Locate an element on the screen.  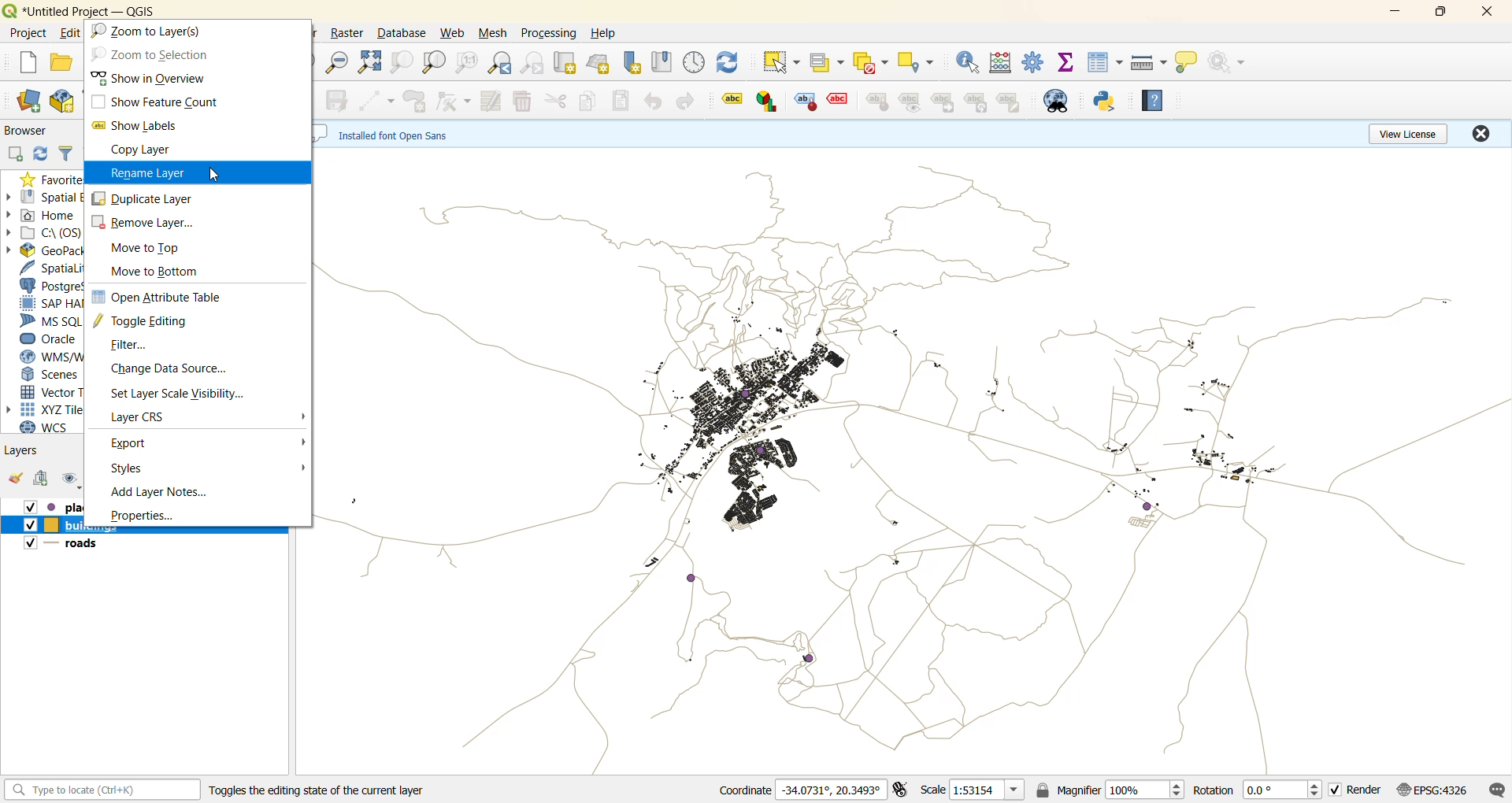
move to bottom is located at coordinates (154, 271).